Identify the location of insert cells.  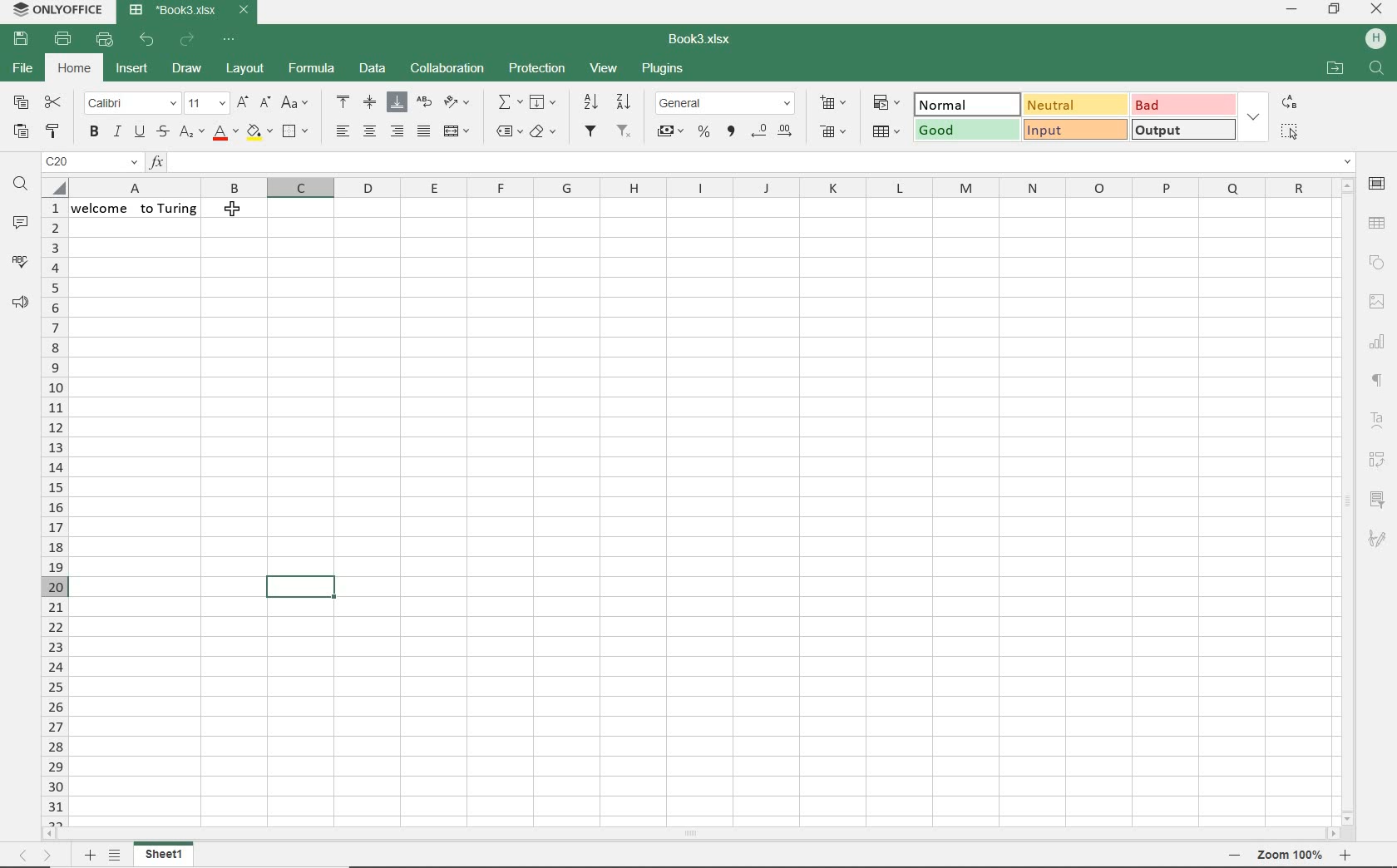
(835, 104).